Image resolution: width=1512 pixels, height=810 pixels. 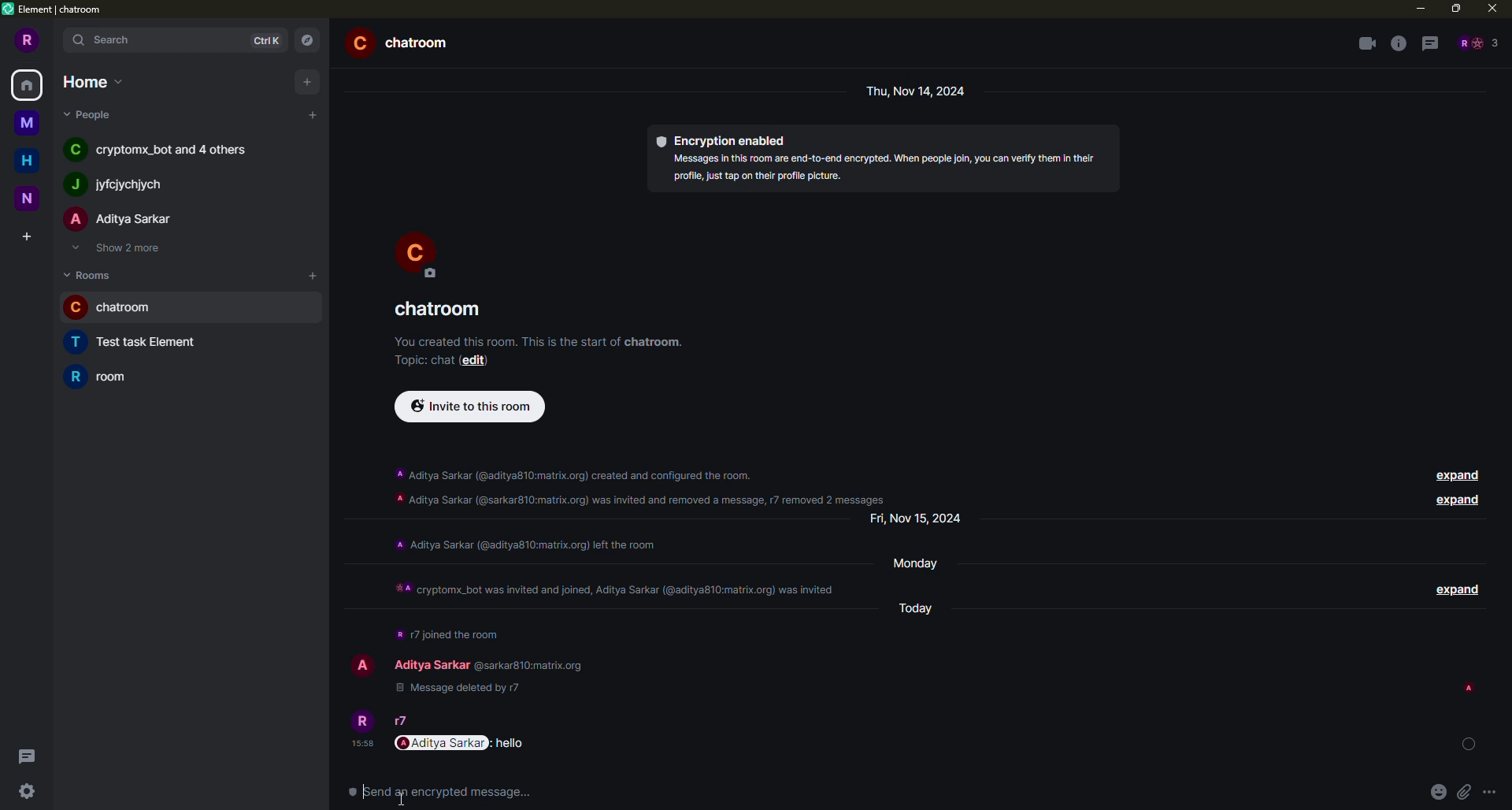 I want to click on add a topic, so click(x=423, y=363).